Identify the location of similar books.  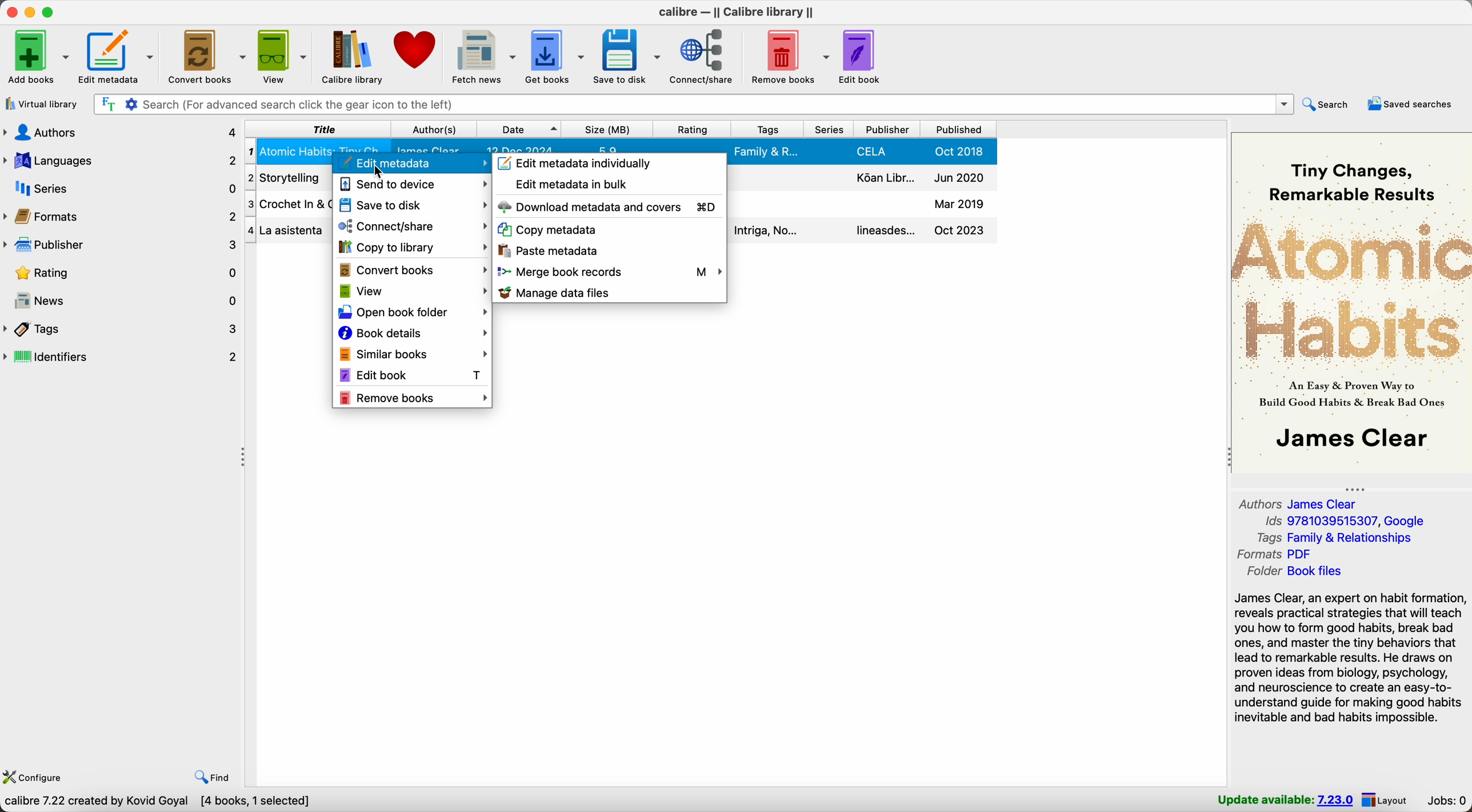
(414, 352).